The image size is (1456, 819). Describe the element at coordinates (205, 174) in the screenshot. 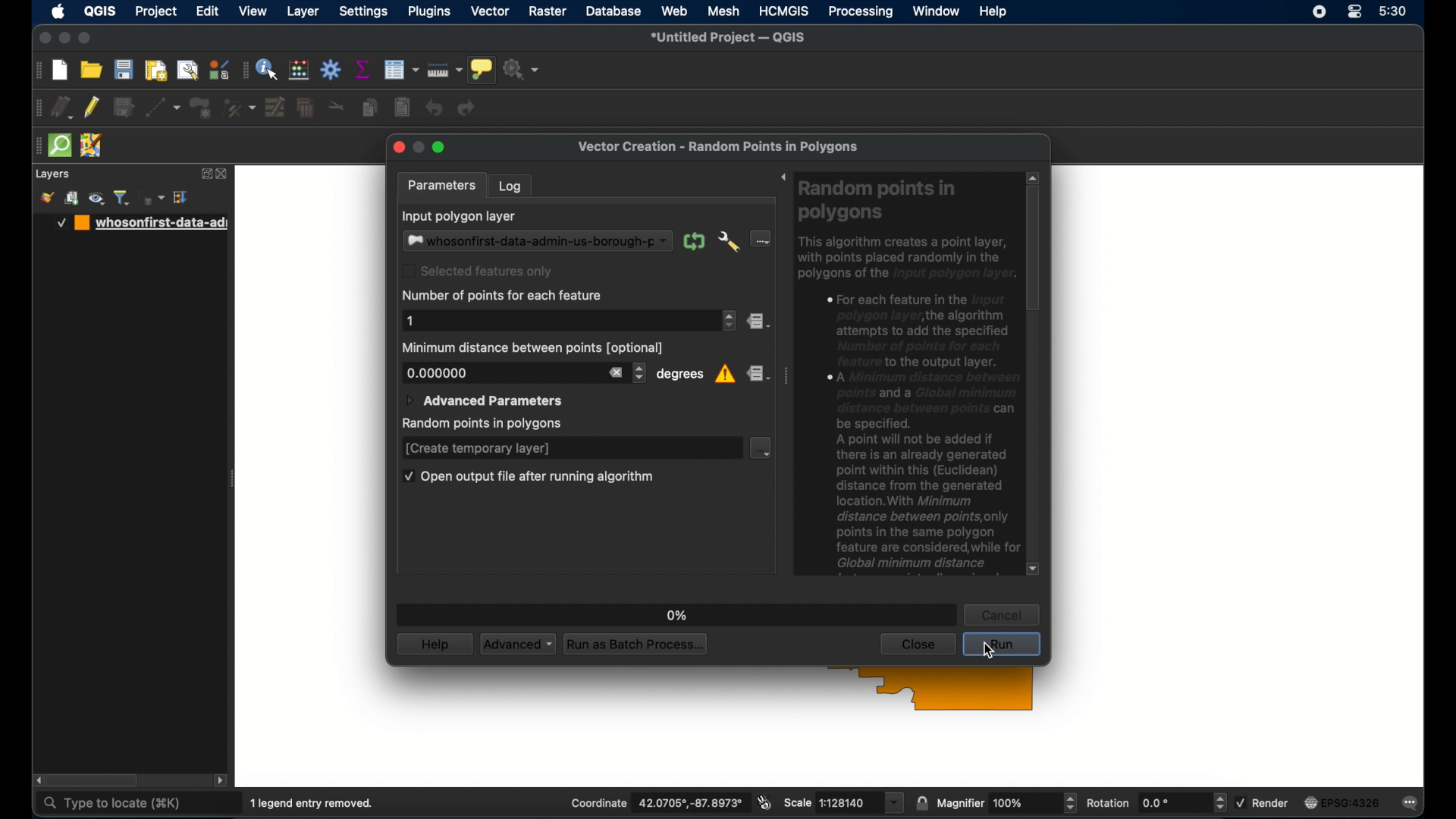

I see `expand` at that location.